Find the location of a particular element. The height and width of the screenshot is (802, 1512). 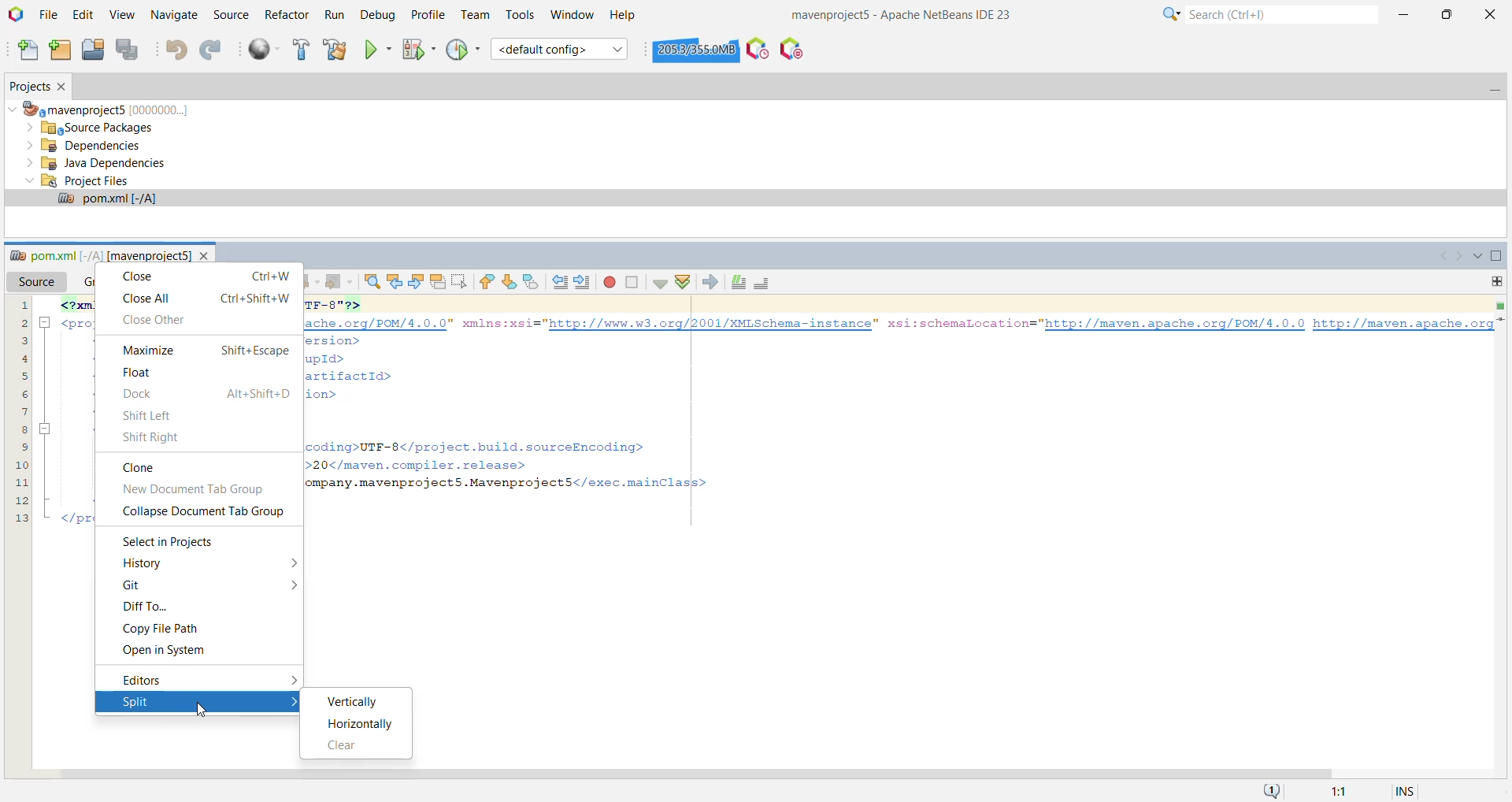

Window is located at coordinates (572, 14).